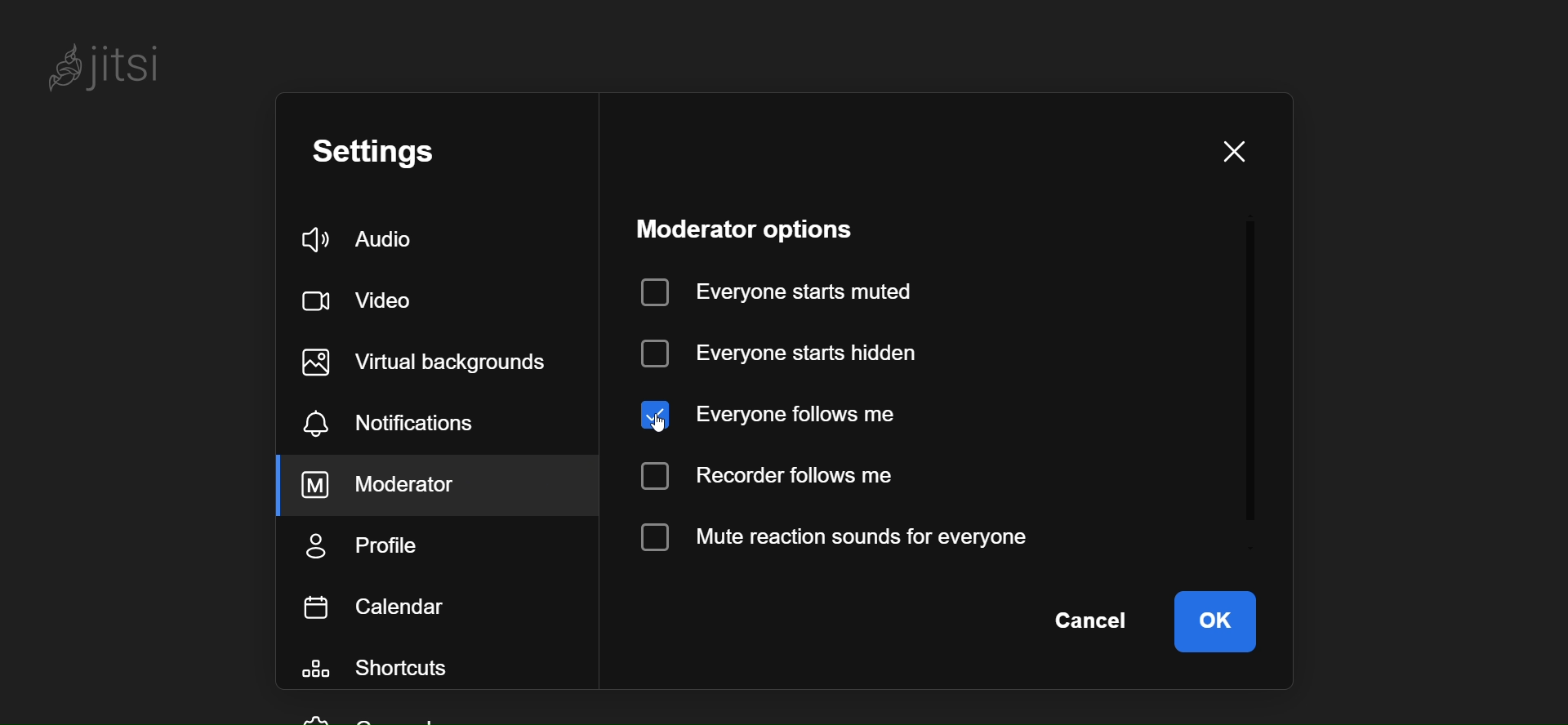 The width and height of the screenshot is (1568, 725). What do you see at coordinates (786, 352) in the screenshot?
I see `everyone stays hidden` at bounding box center [786, 352].